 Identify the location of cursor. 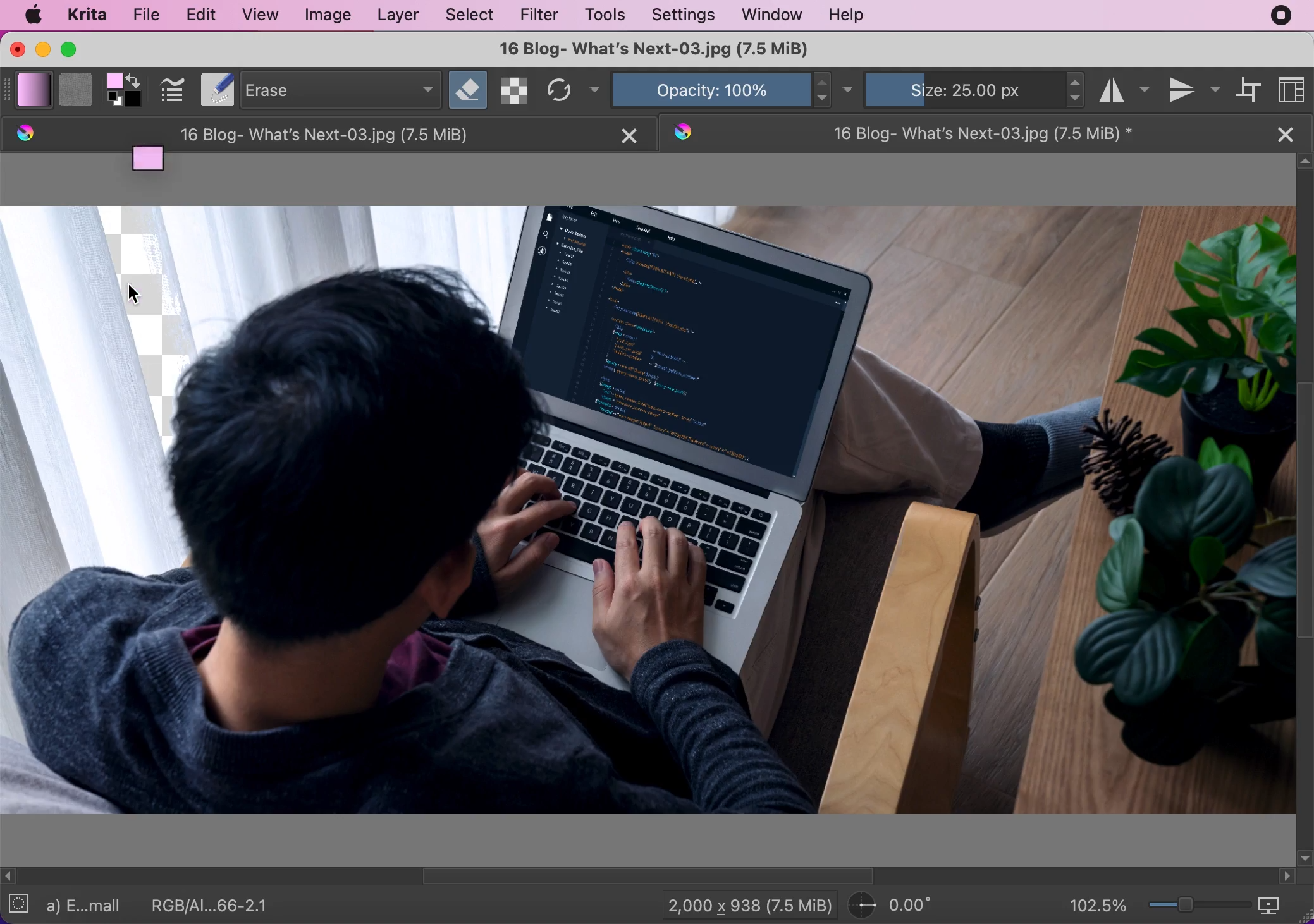
(136, 295).